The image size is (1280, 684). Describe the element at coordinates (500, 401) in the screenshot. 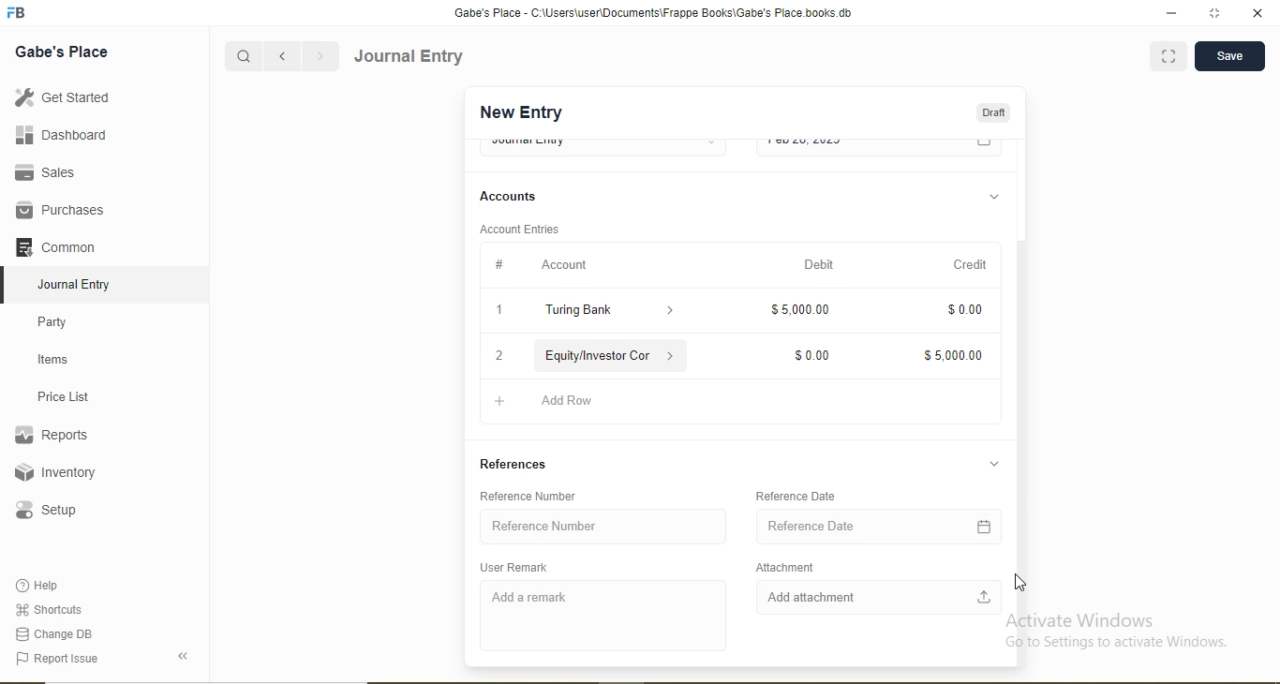

I see `Add` at that location.